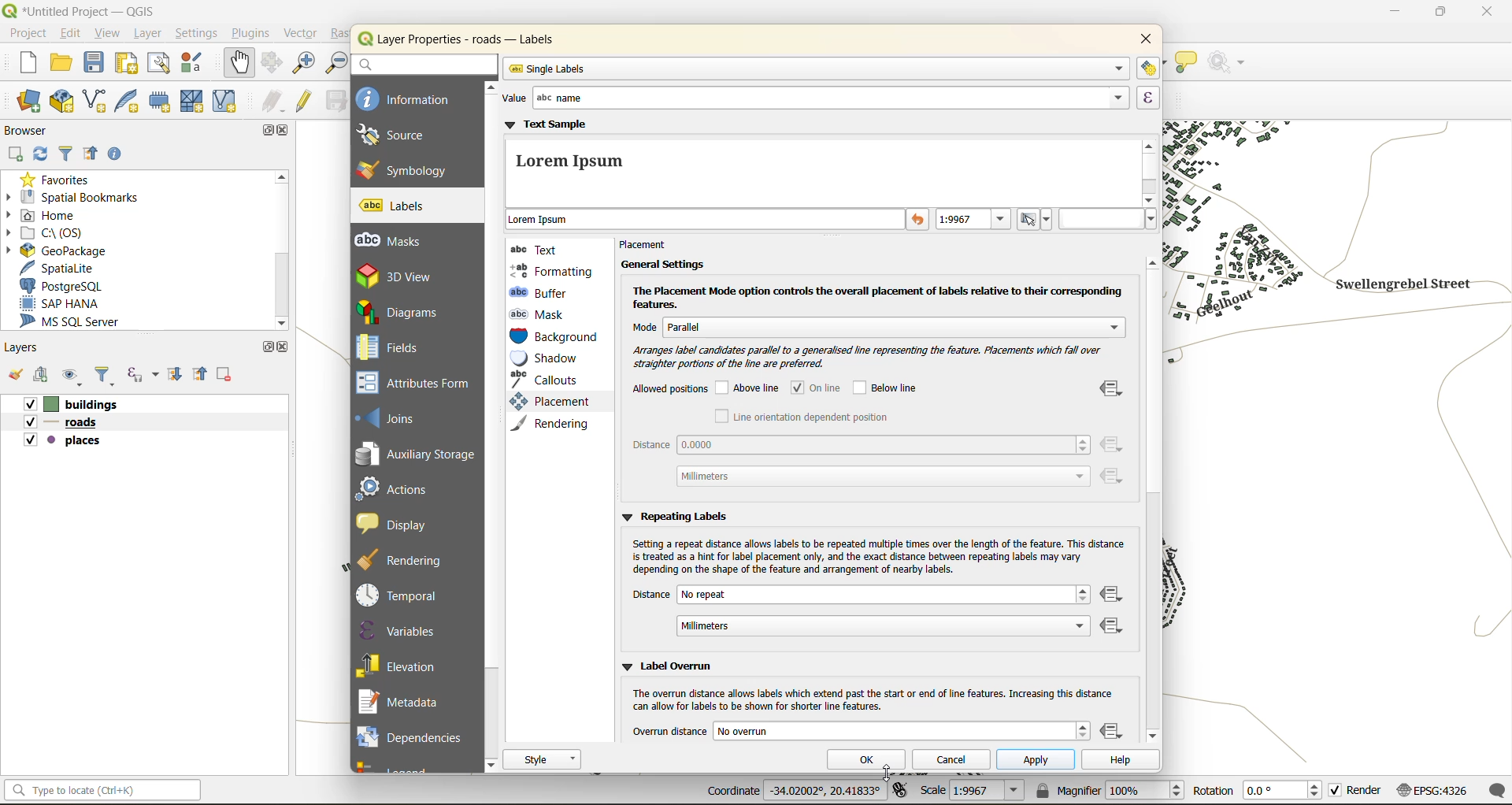  Describe the element at coordinates (106, 377) in the screenshot. I see `filter ` at that location.